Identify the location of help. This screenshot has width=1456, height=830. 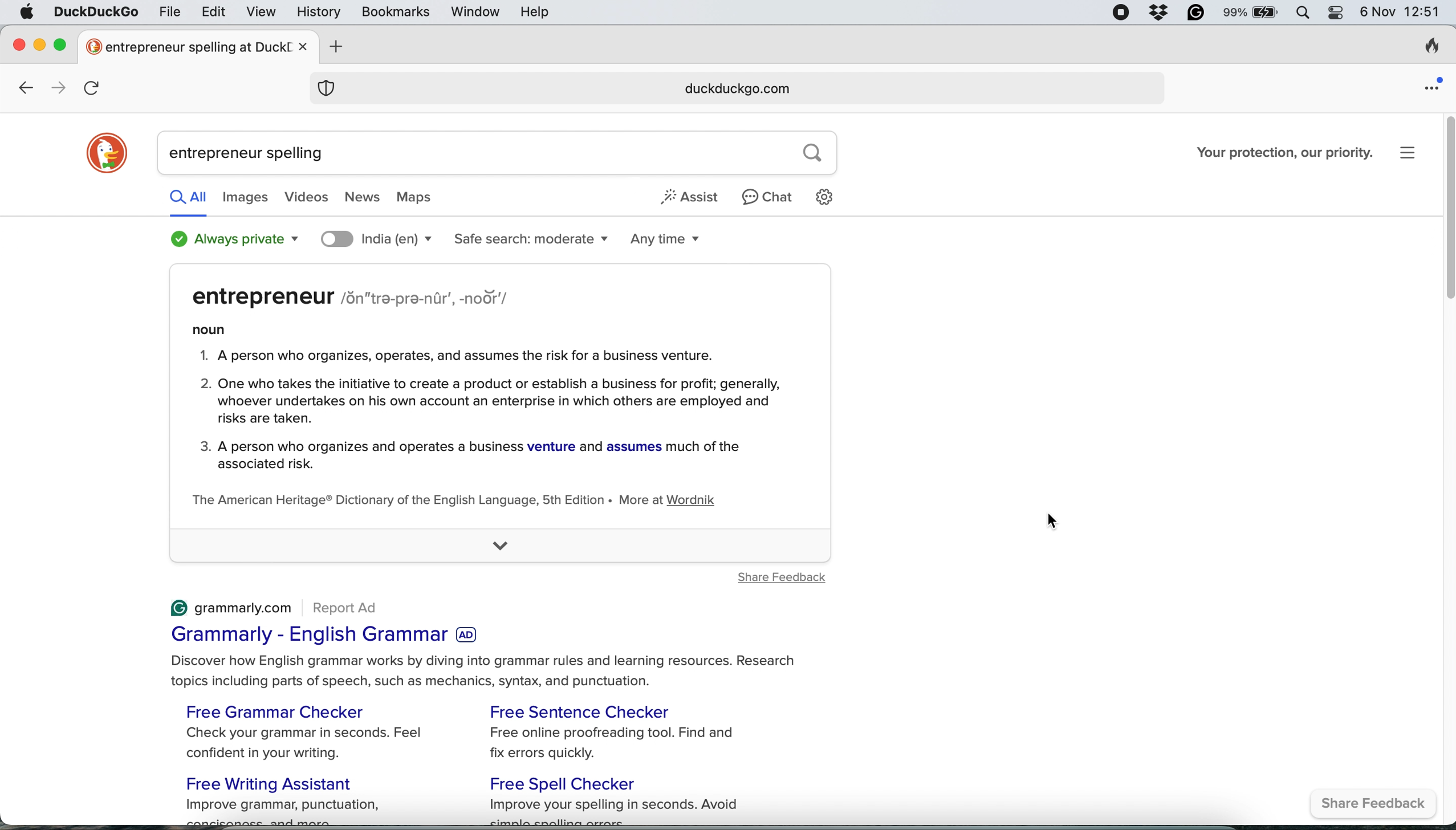
(535, 13).